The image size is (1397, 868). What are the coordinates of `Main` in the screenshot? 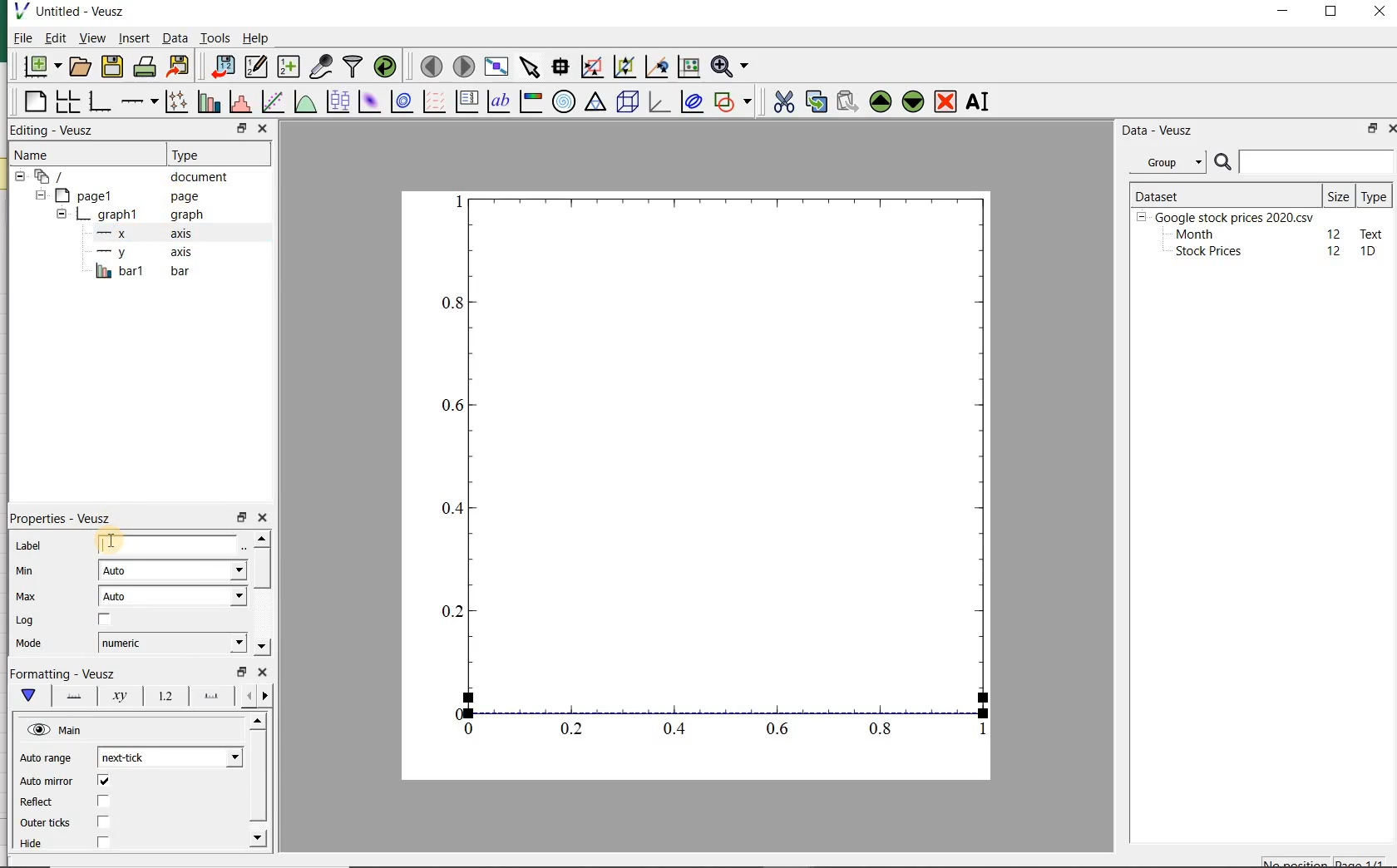 It's located at (56, 730).